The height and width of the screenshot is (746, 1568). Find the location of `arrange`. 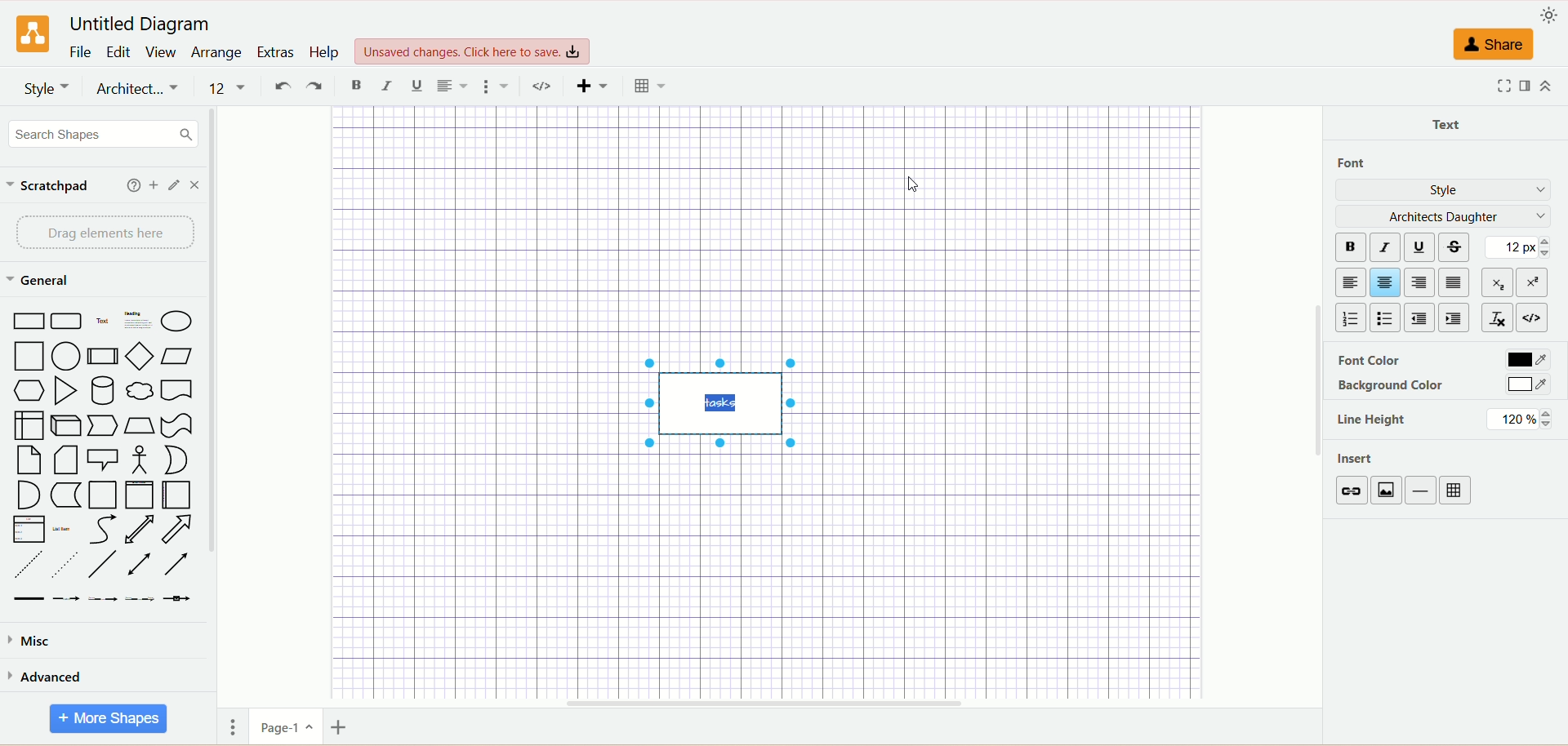

arrange is located at coordinates (216, 52).